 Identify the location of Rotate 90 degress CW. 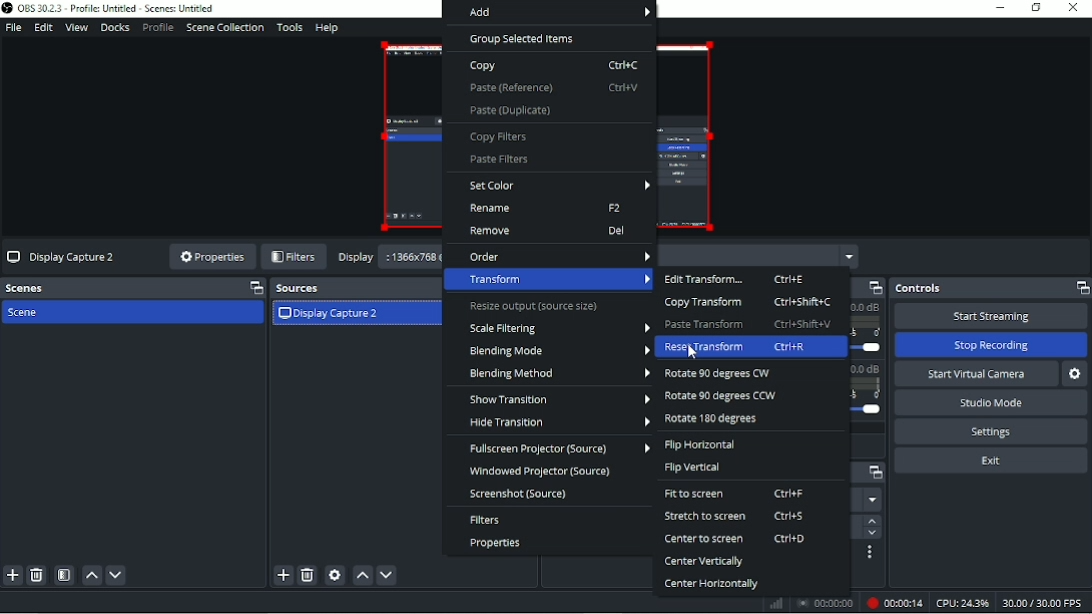
(722, 374).